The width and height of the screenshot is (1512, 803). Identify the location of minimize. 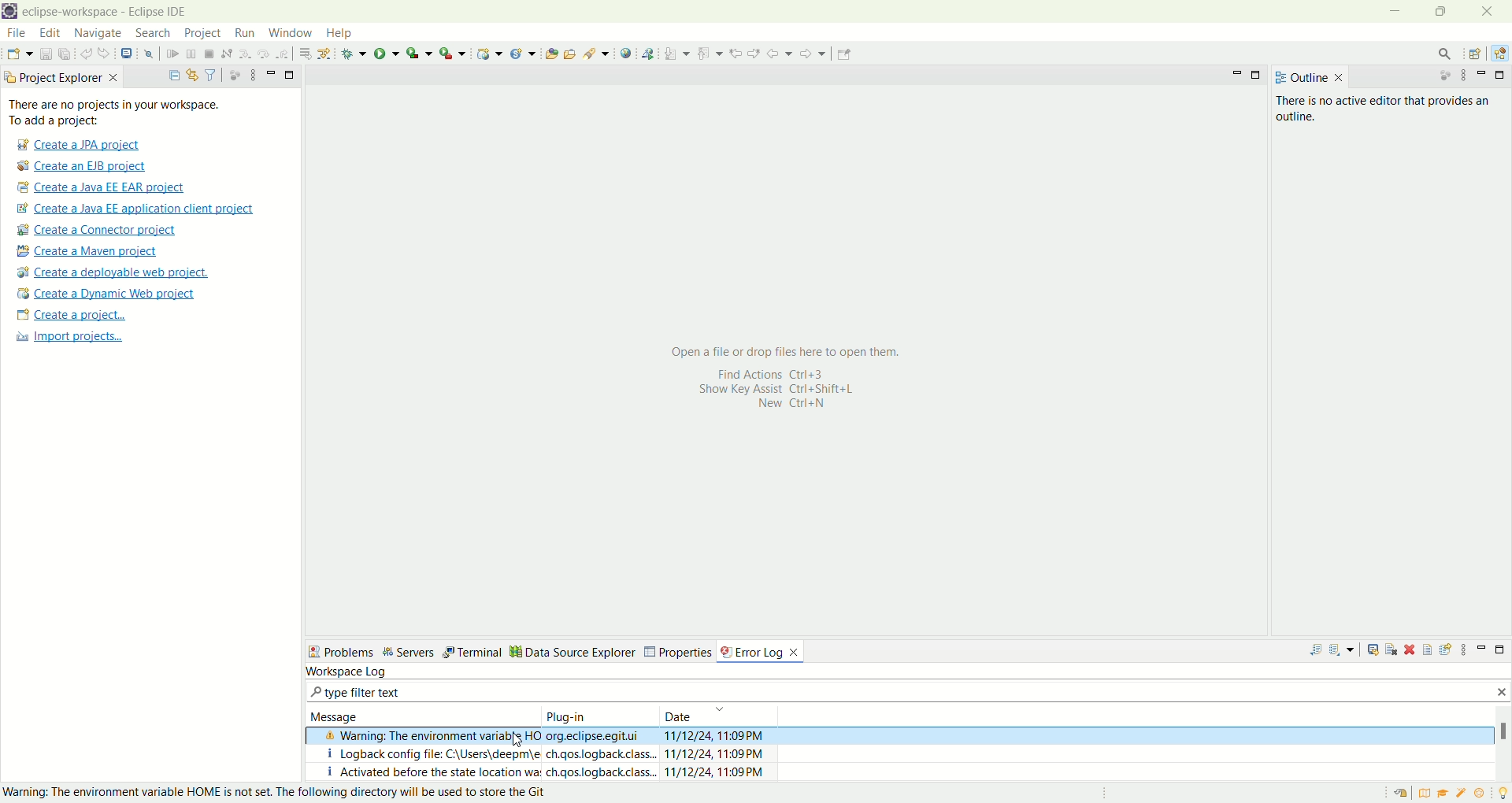
(269, 73).